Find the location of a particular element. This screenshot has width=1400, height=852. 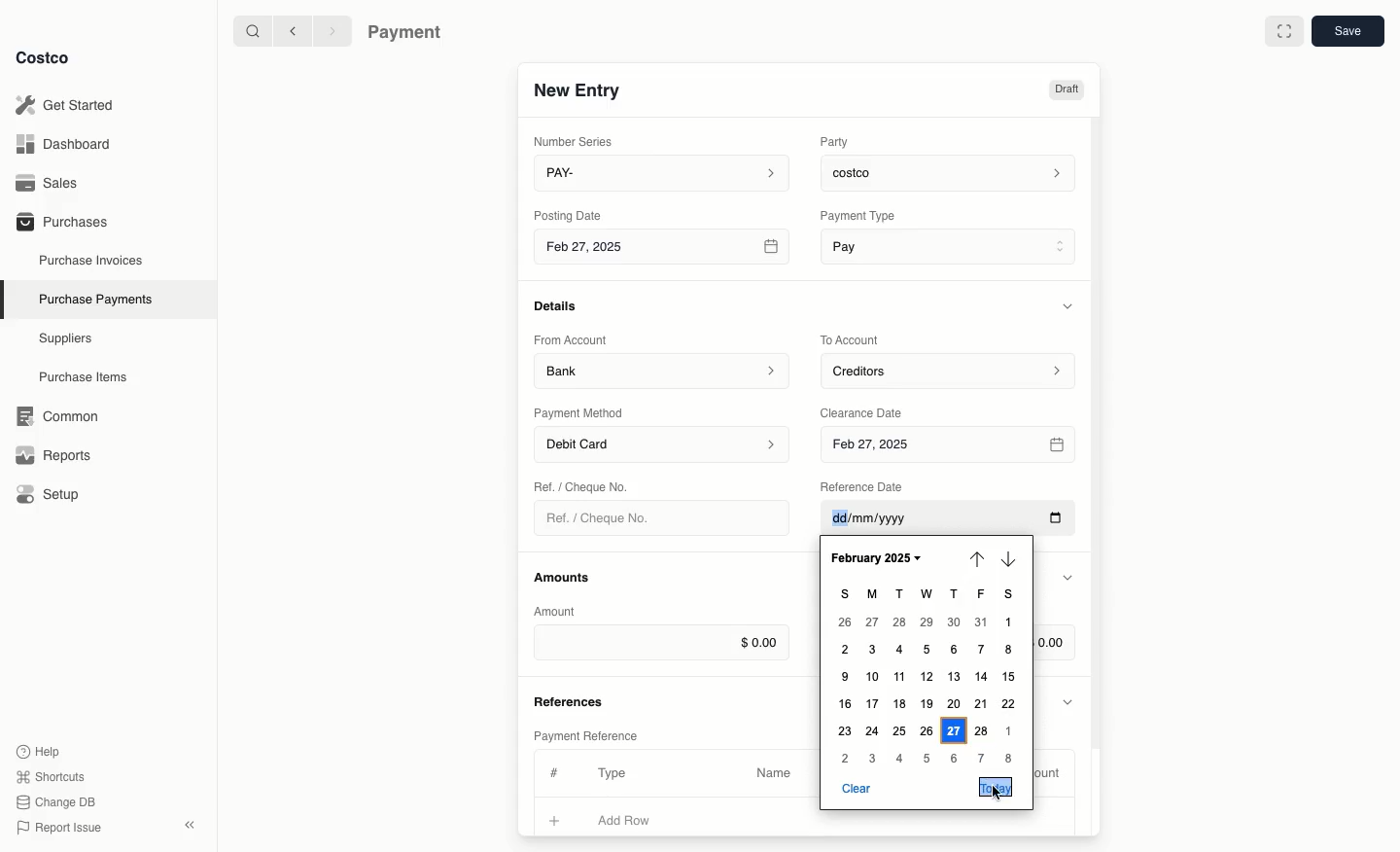

$0.00 is located at coordinates (661, 642).